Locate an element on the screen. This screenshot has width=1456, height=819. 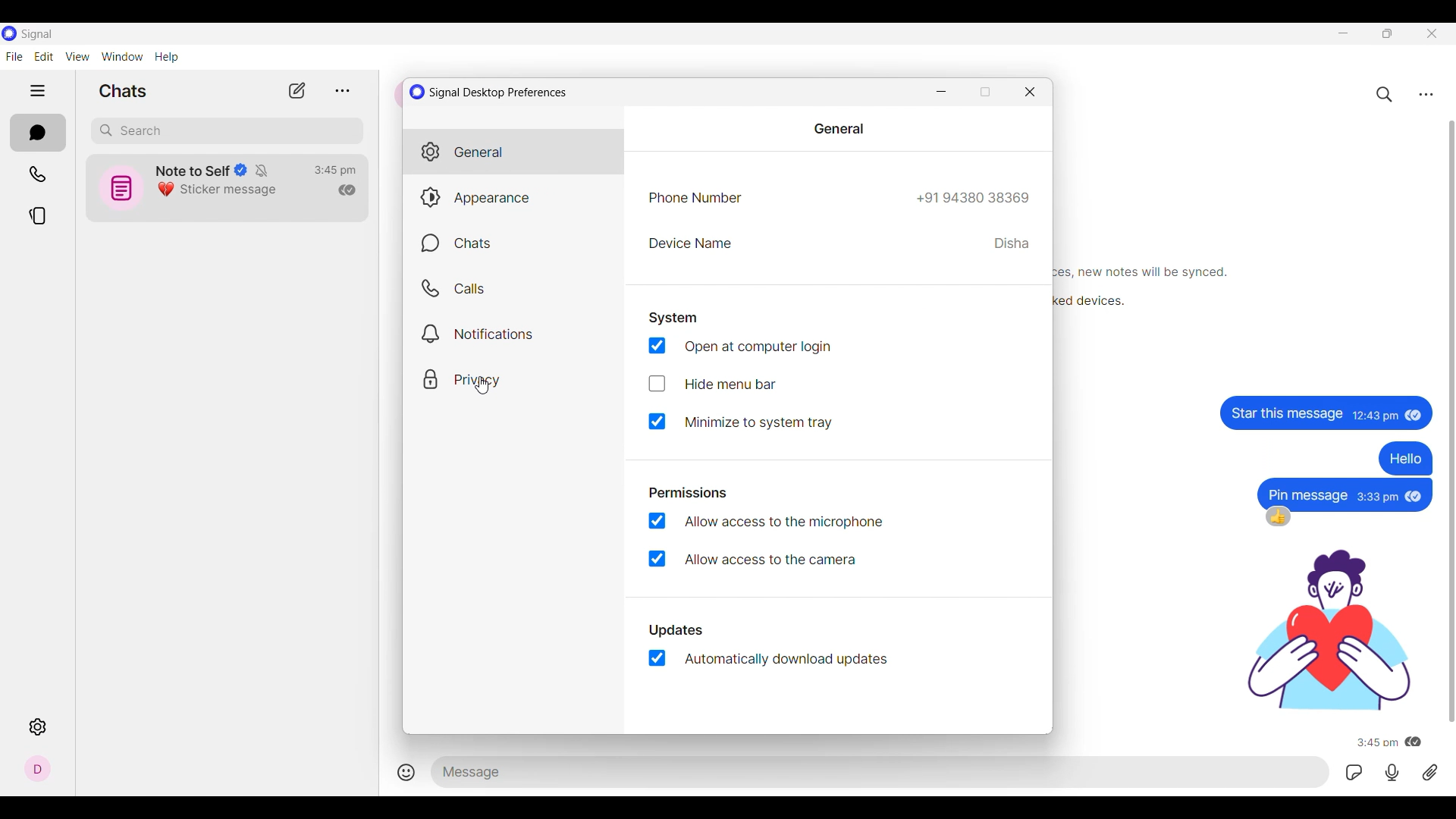
Profile is located at coordinates (37, 769).